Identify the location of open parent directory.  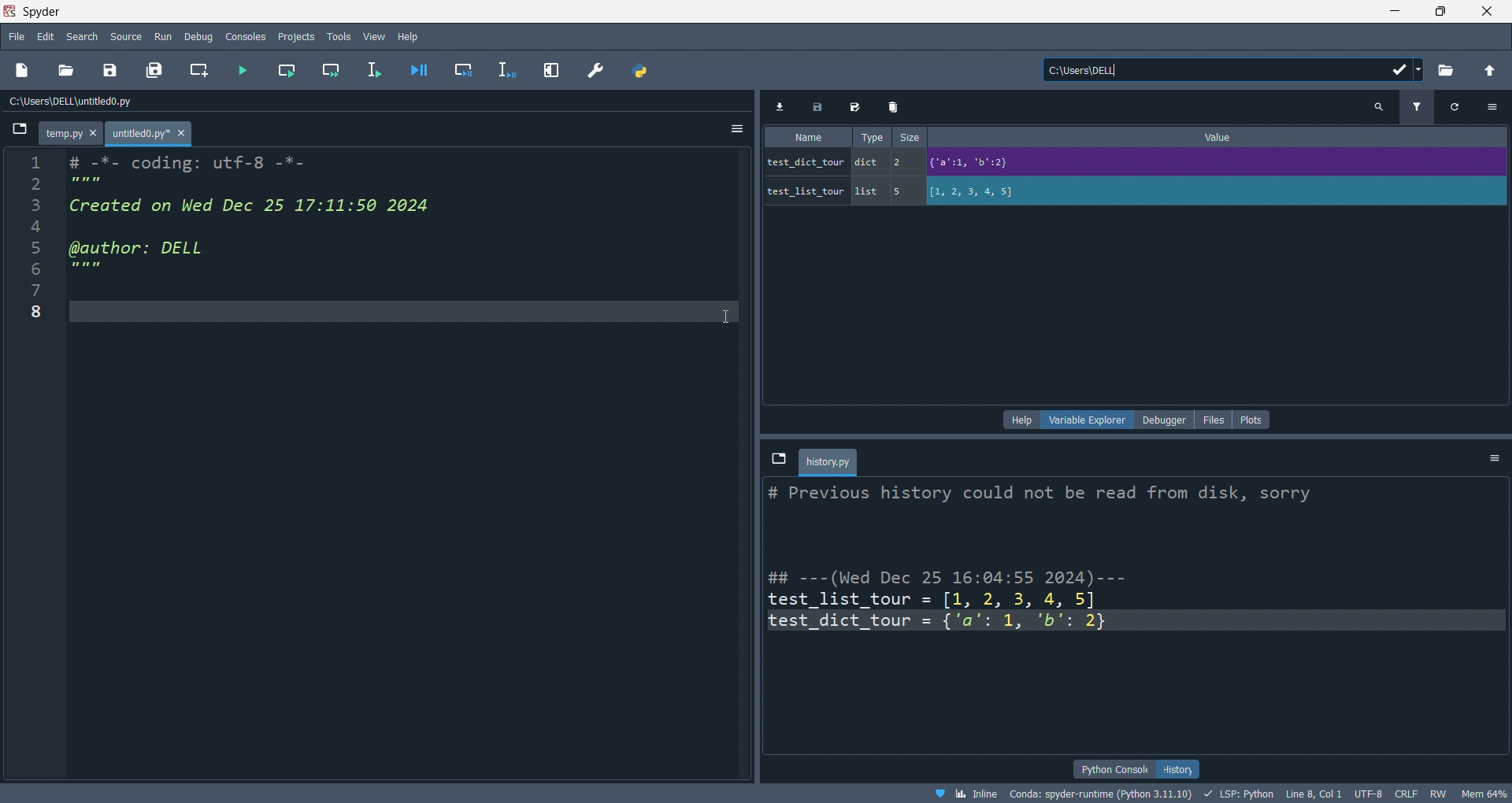
(1490, 68).